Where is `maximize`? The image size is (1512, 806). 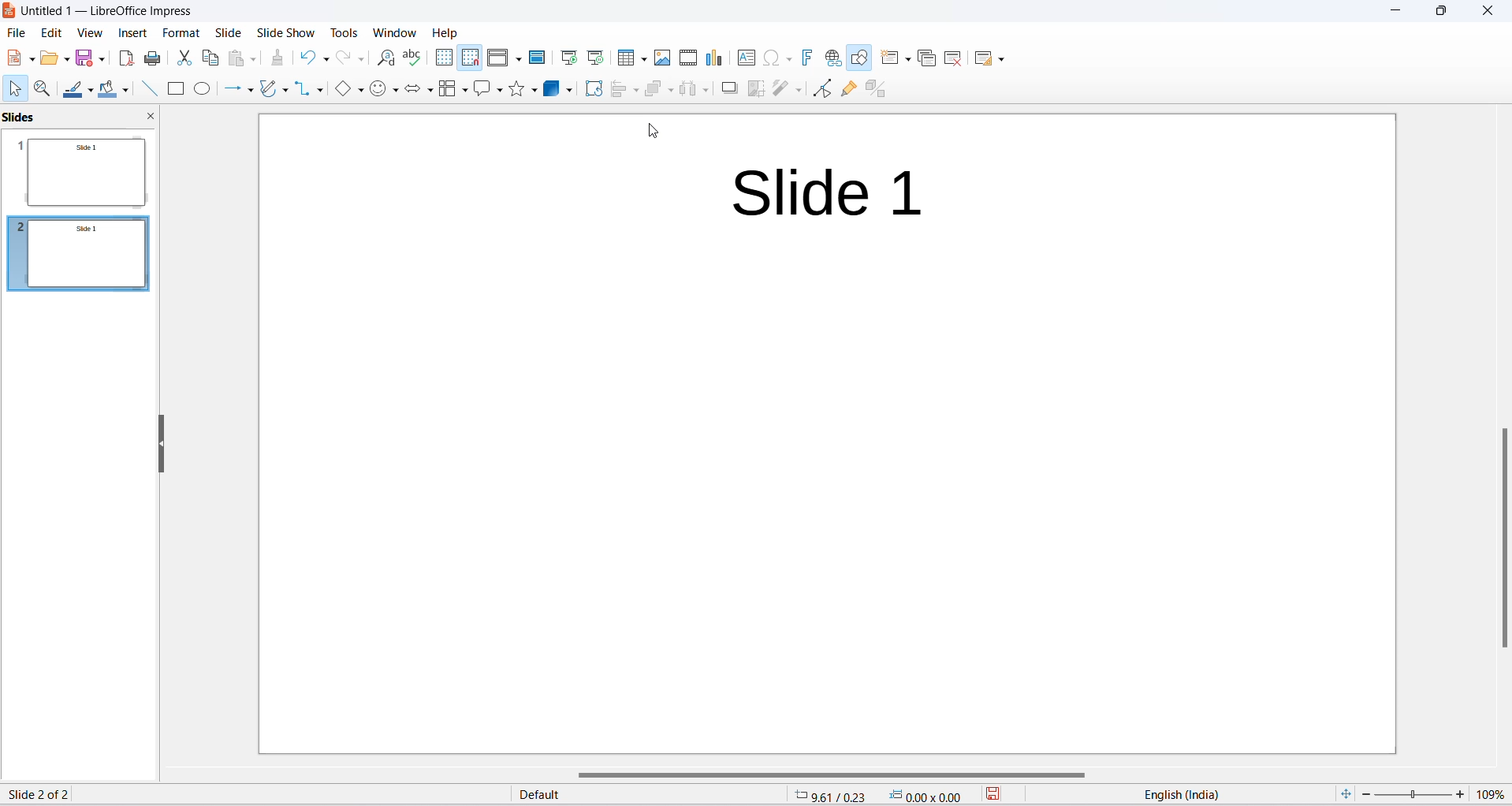 maximize is located at coordinates (1441, 11).